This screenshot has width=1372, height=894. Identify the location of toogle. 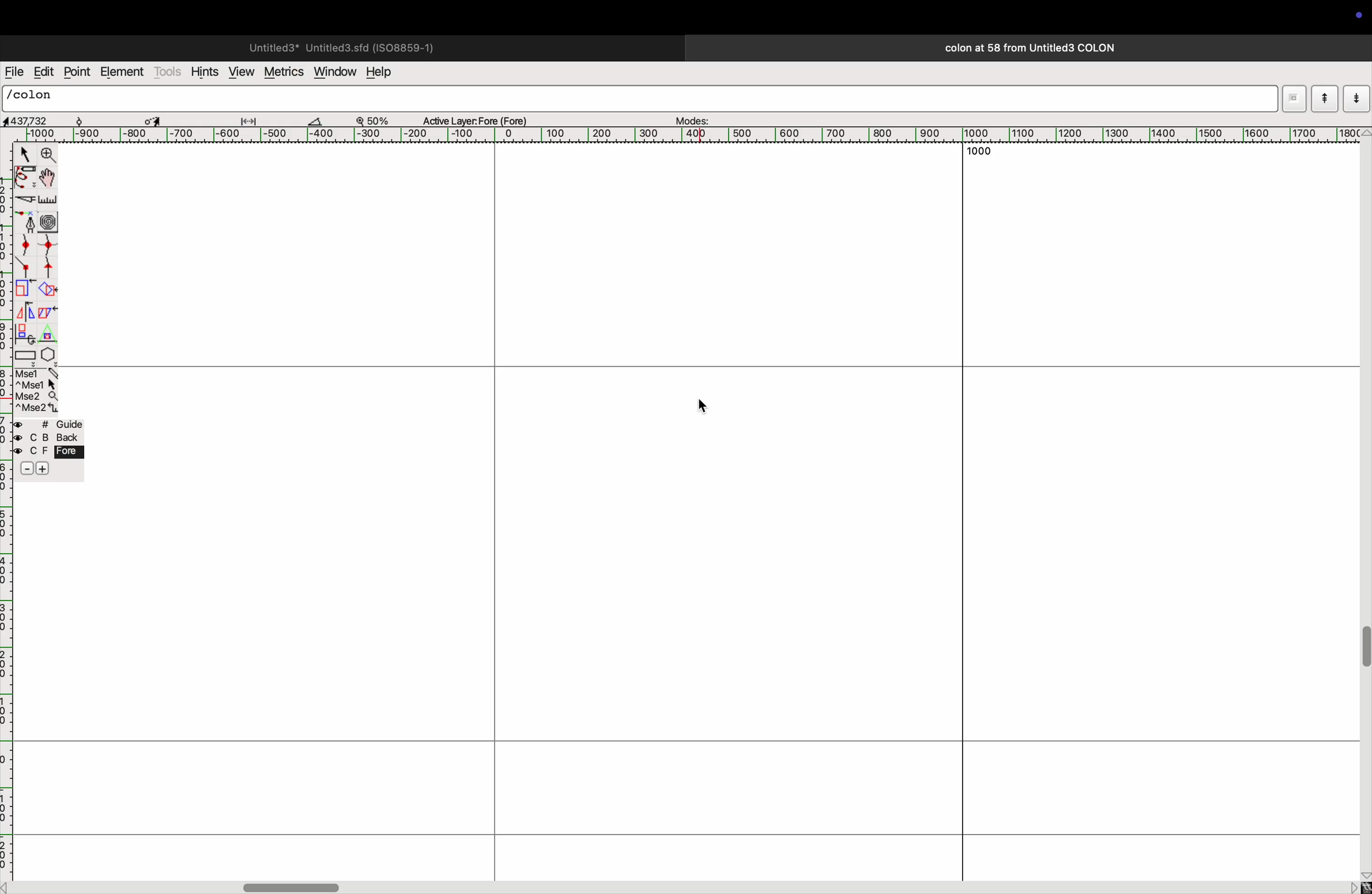
(1363, 654).